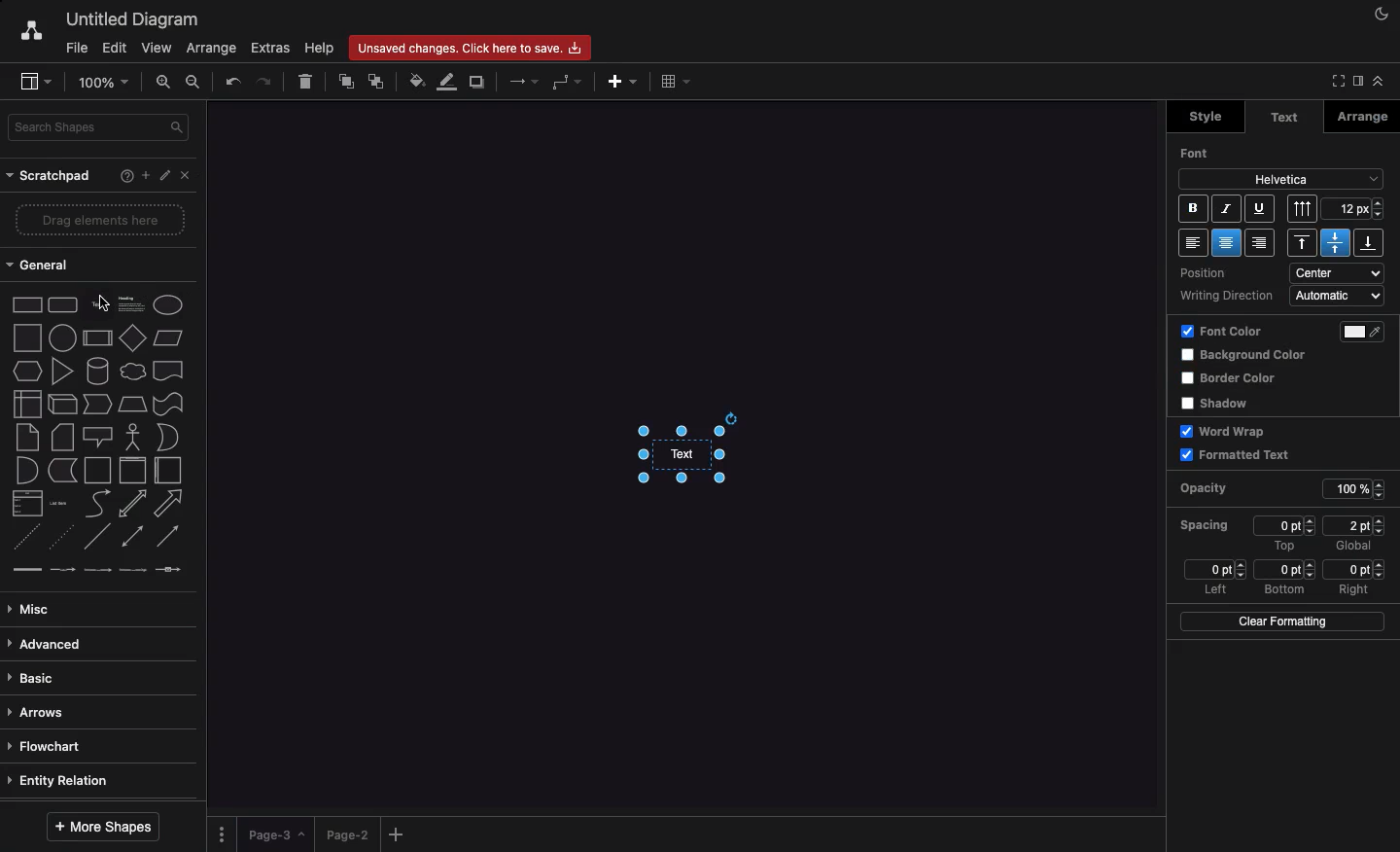 Image resolution: width=1400 pixels, height=852 pixels. Describe the element at coordinates (1260, 242) in the screenshot. I see `Right aligned` at that location.